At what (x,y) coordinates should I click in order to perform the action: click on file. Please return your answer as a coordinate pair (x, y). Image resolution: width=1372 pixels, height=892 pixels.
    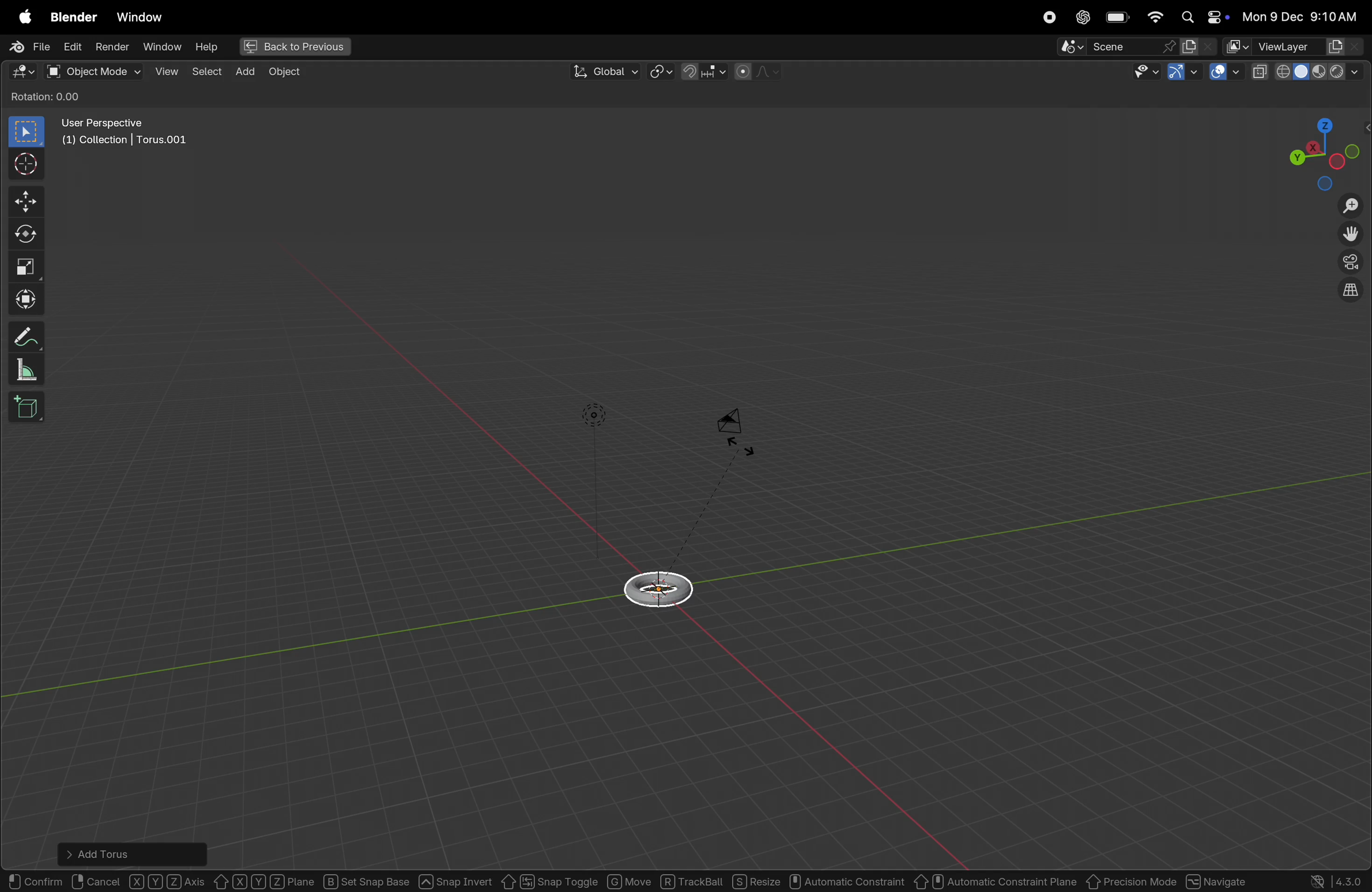
    Looking at the image, I should click on (27, 47).